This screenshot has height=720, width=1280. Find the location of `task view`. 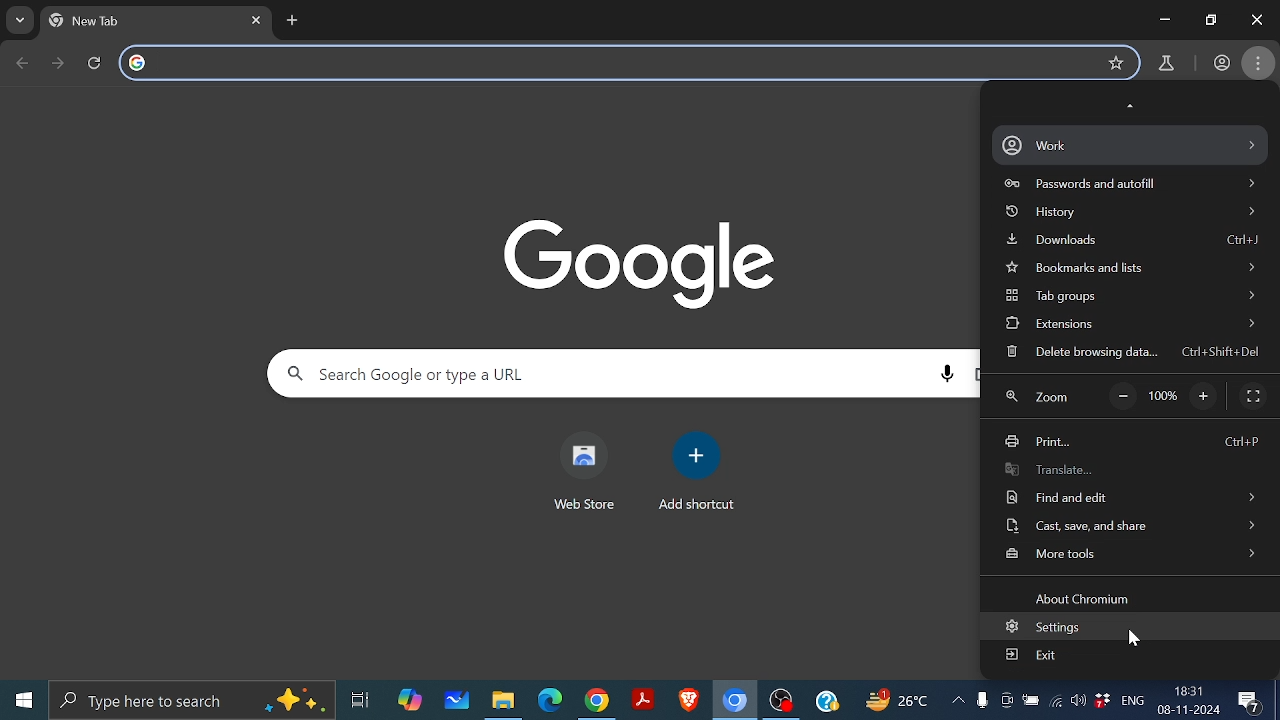

task view is located at coordinates (362, 703).